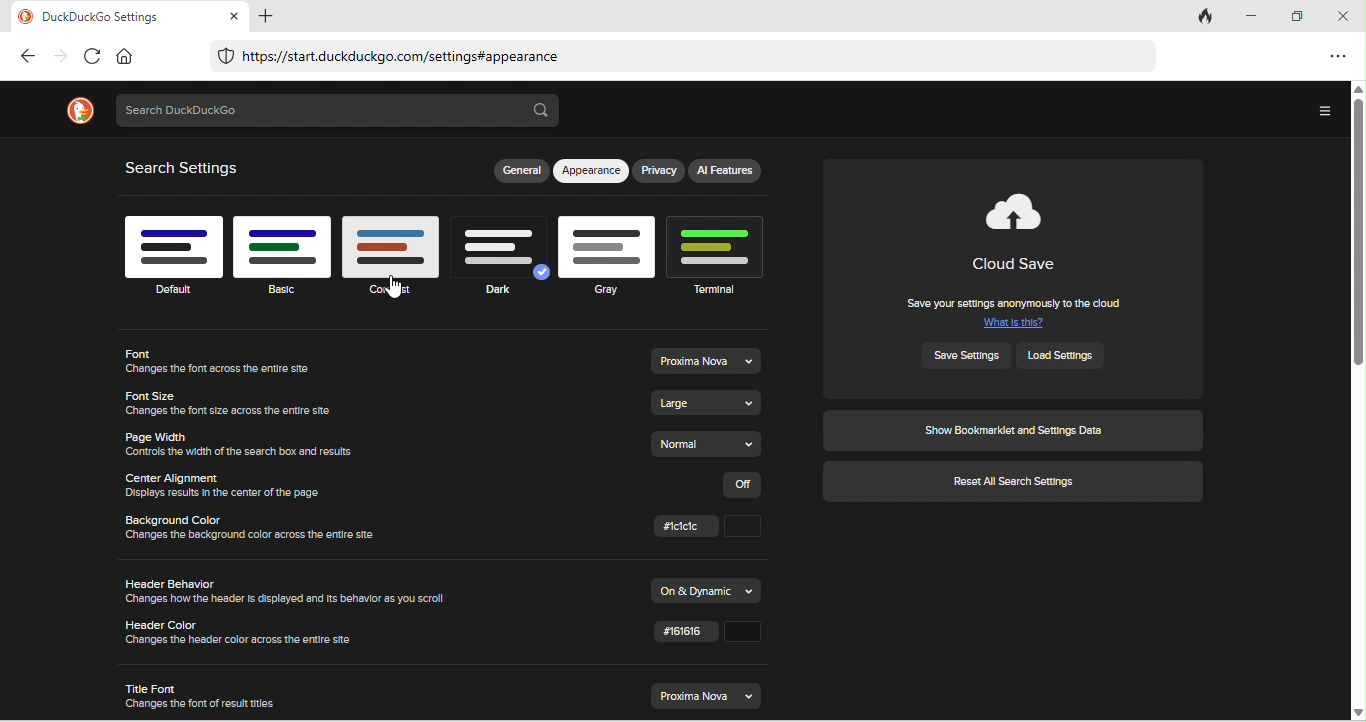  What do you see at coordinates (292, 593) in the screenshot?
I see `header behavior` at bounding box center [292, 593].